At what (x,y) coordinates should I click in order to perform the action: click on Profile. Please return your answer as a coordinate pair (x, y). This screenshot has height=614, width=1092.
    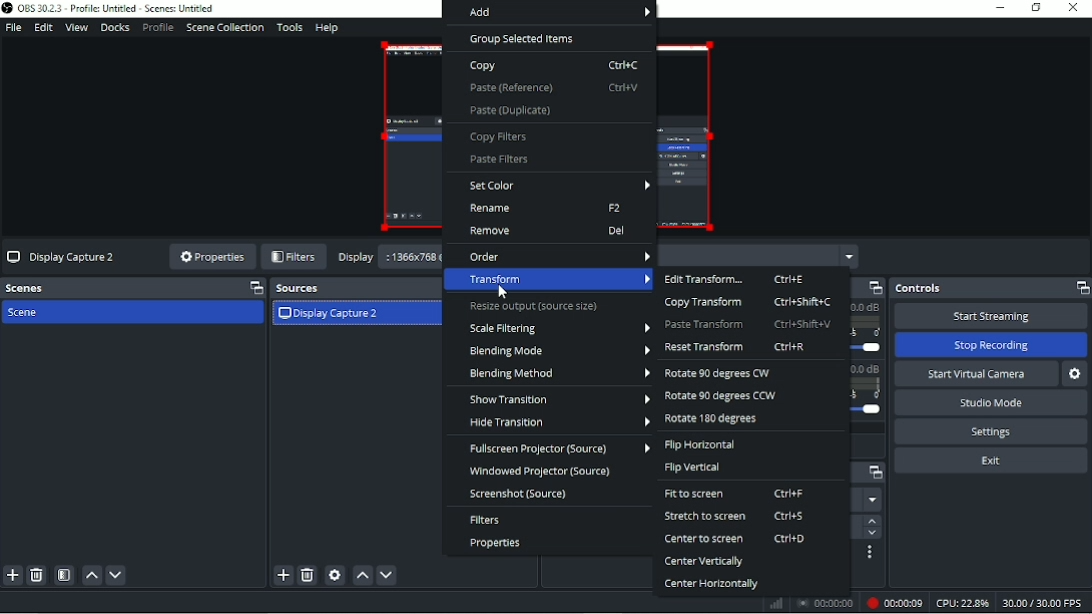
    Looking at the image, I should click on (157, 28).